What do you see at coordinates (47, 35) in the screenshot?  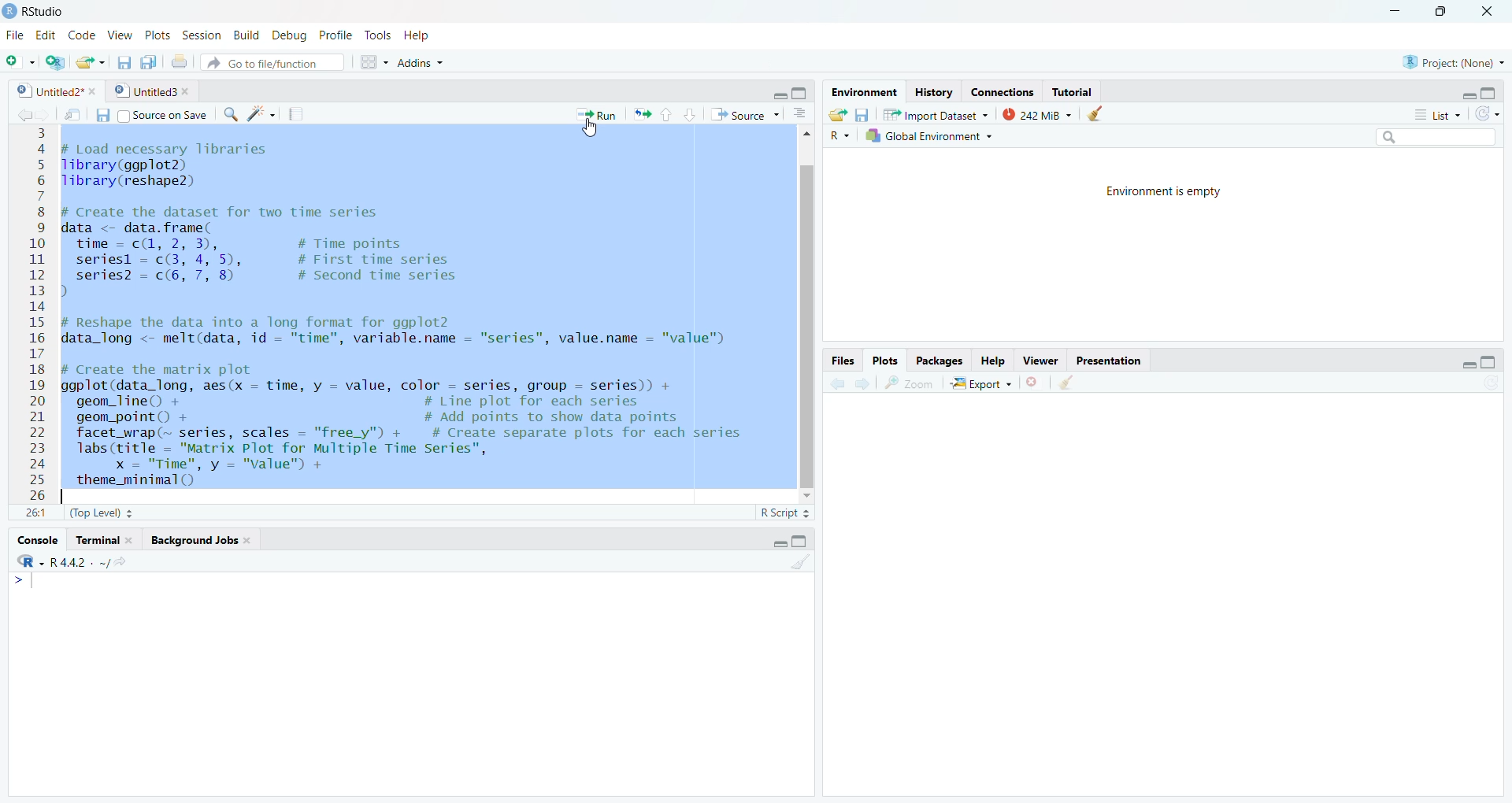 I see `Edit` at bounding box center [47, 35].